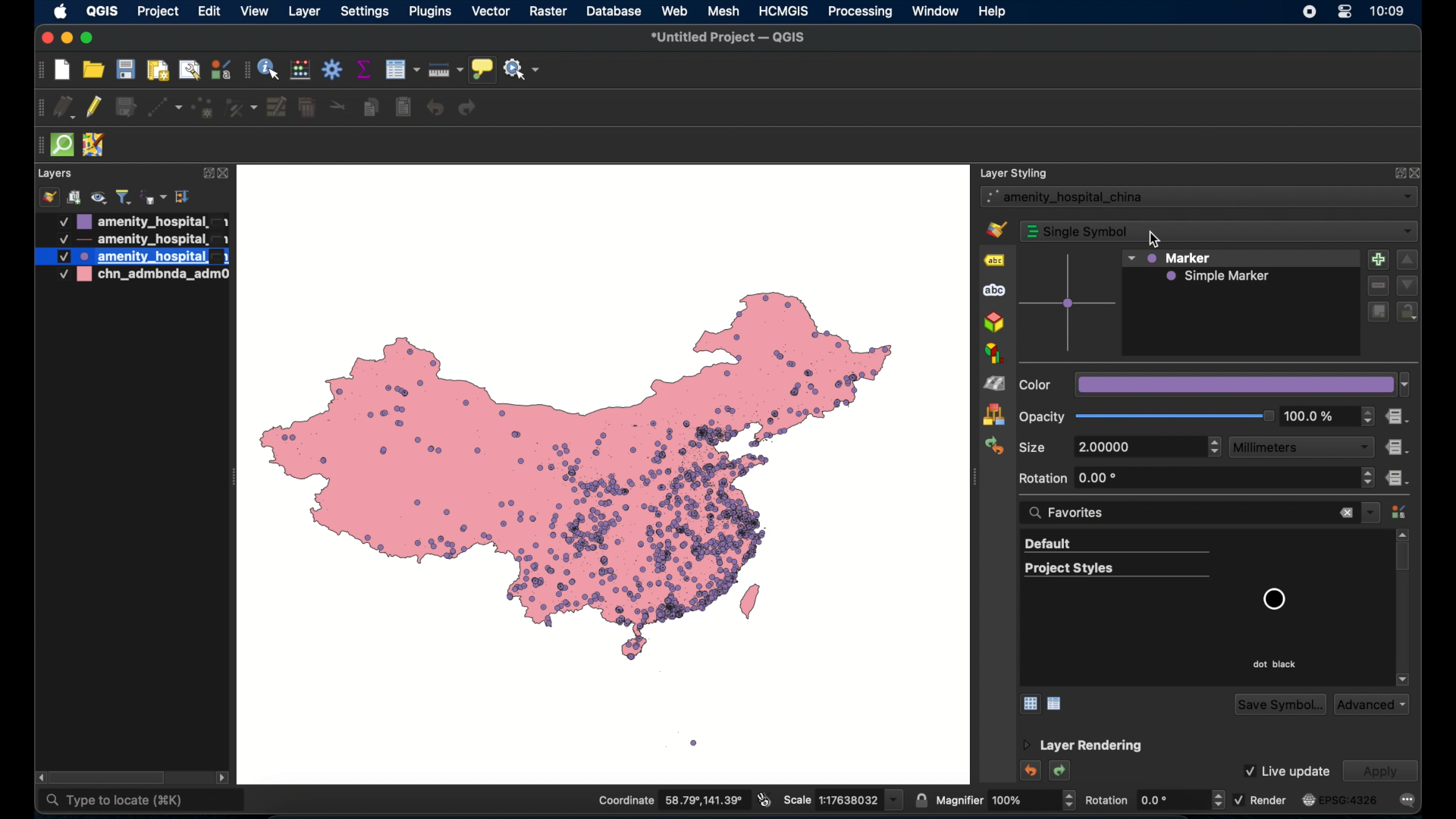 The height and width of the screenshot is (819, 1456). What do you see at coordinates (1154, 240) in the screenshot?
I see `cursor` at bounding box center [1154, 240].